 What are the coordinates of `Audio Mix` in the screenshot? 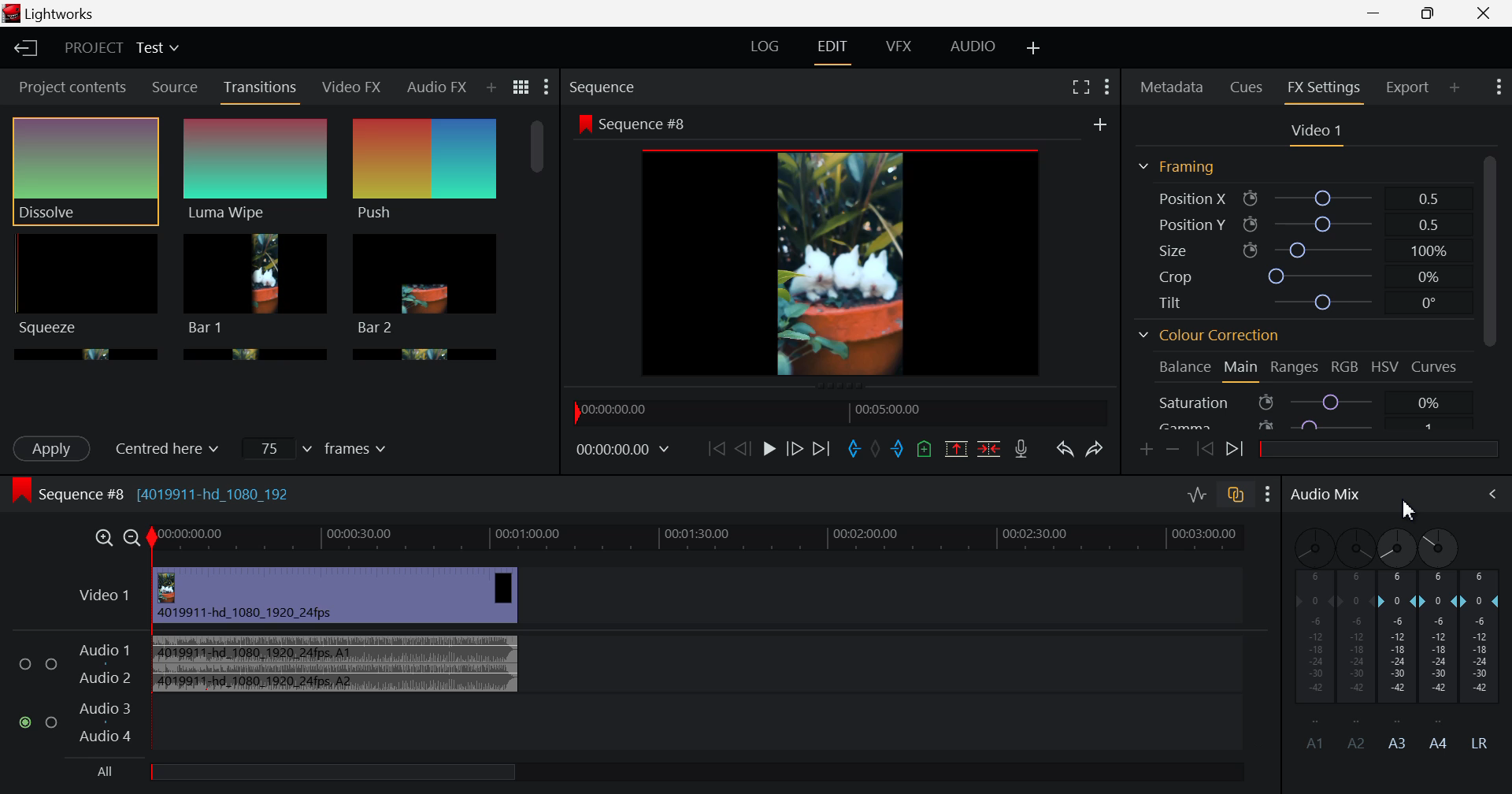 It's located at (1324, 497).